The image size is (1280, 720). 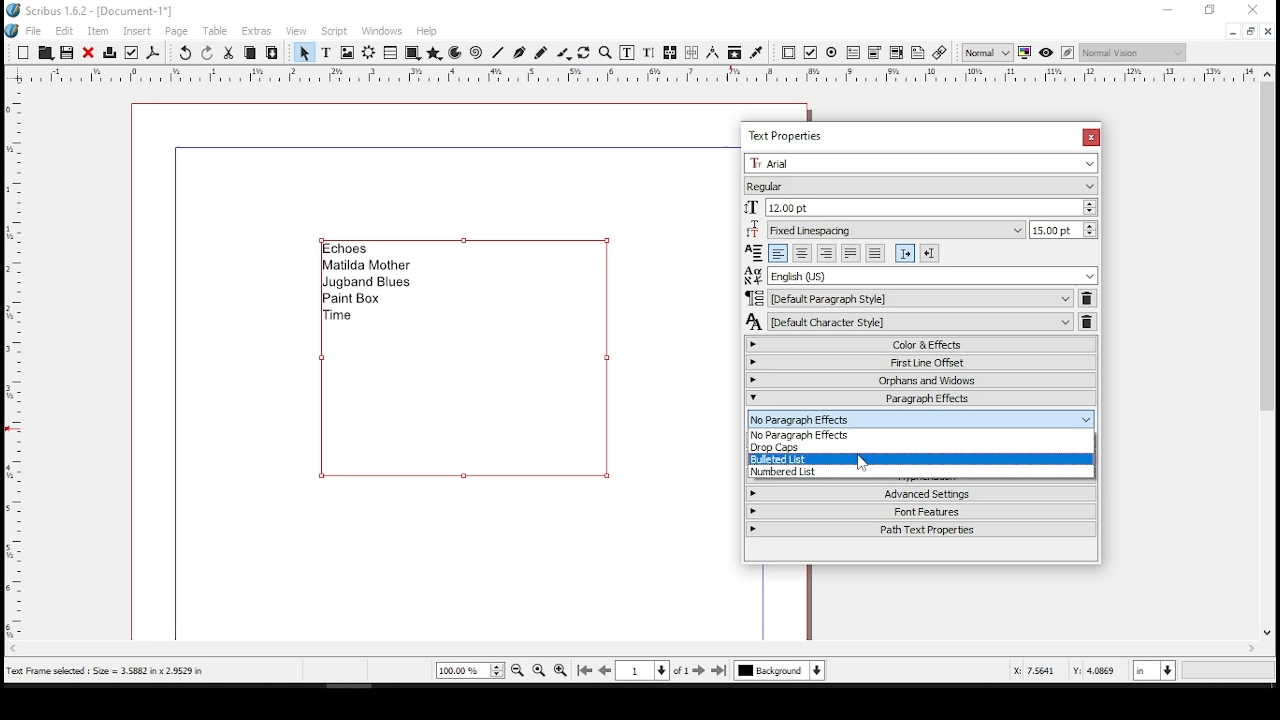 I want to click on font, so click(x=920, y=166).